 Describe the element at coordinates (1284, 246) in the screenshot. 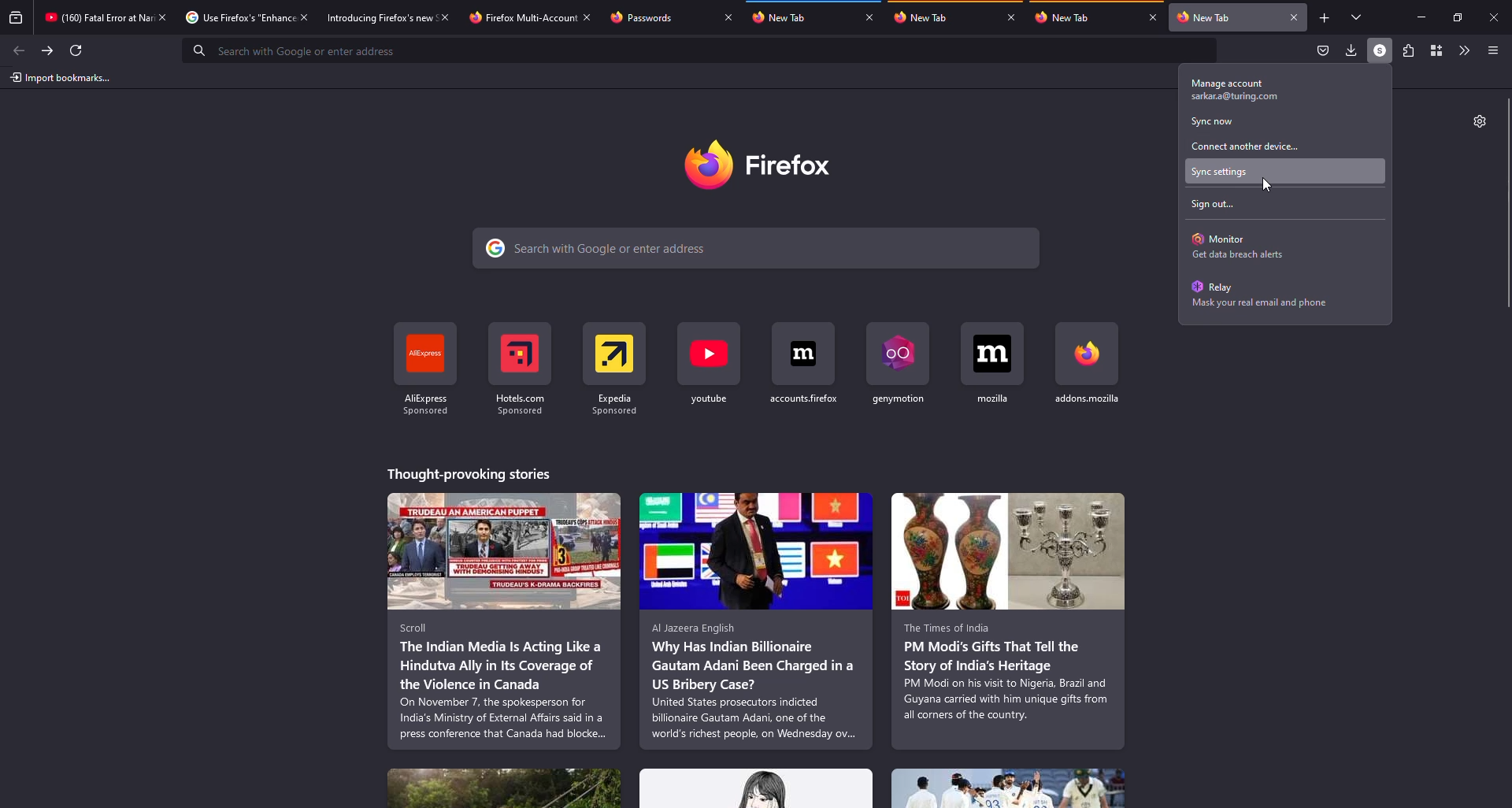

I see `monitor` at that location.